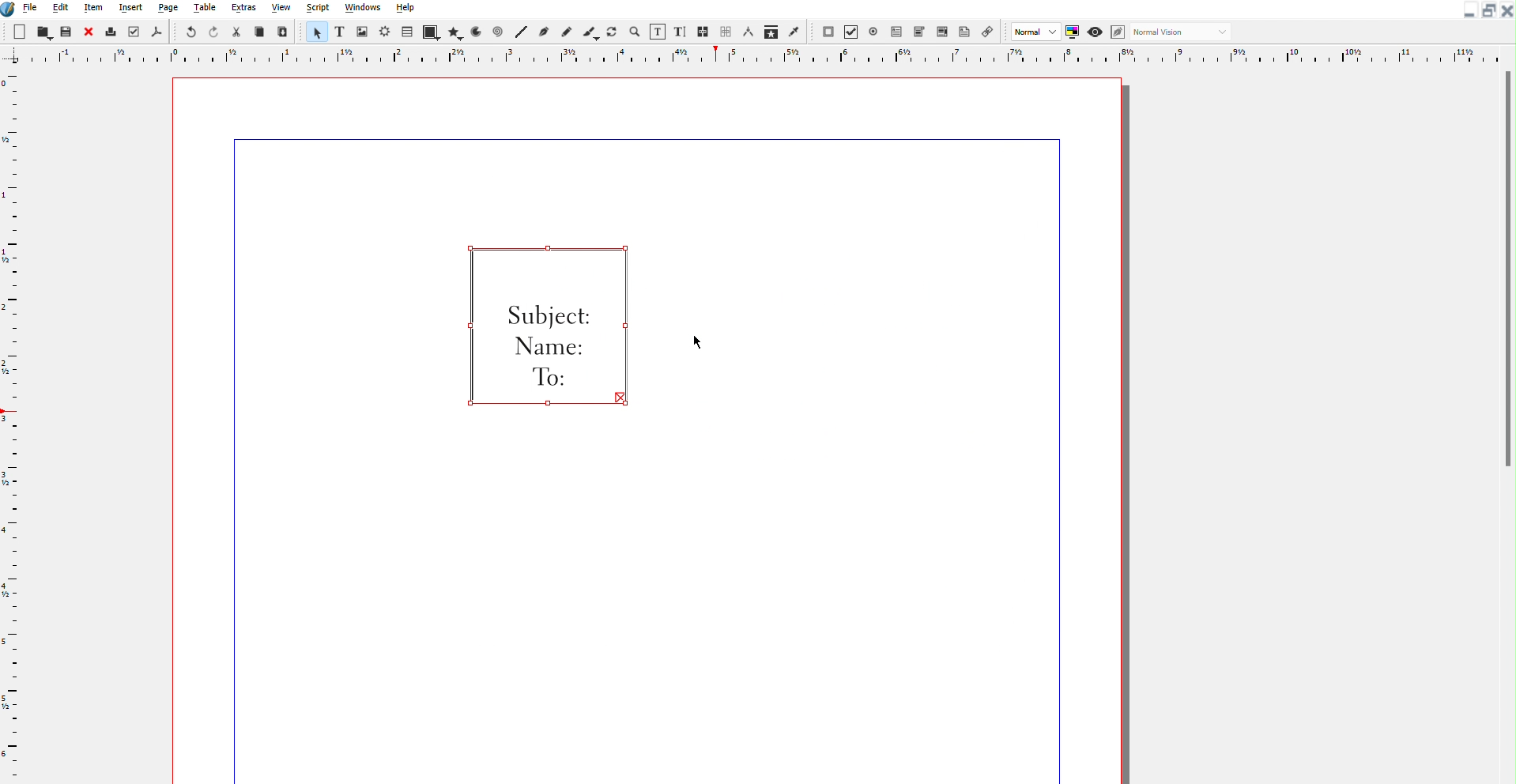 This screenshot has width=1516, height=784. I want to click on Windows, so click(363, 9).